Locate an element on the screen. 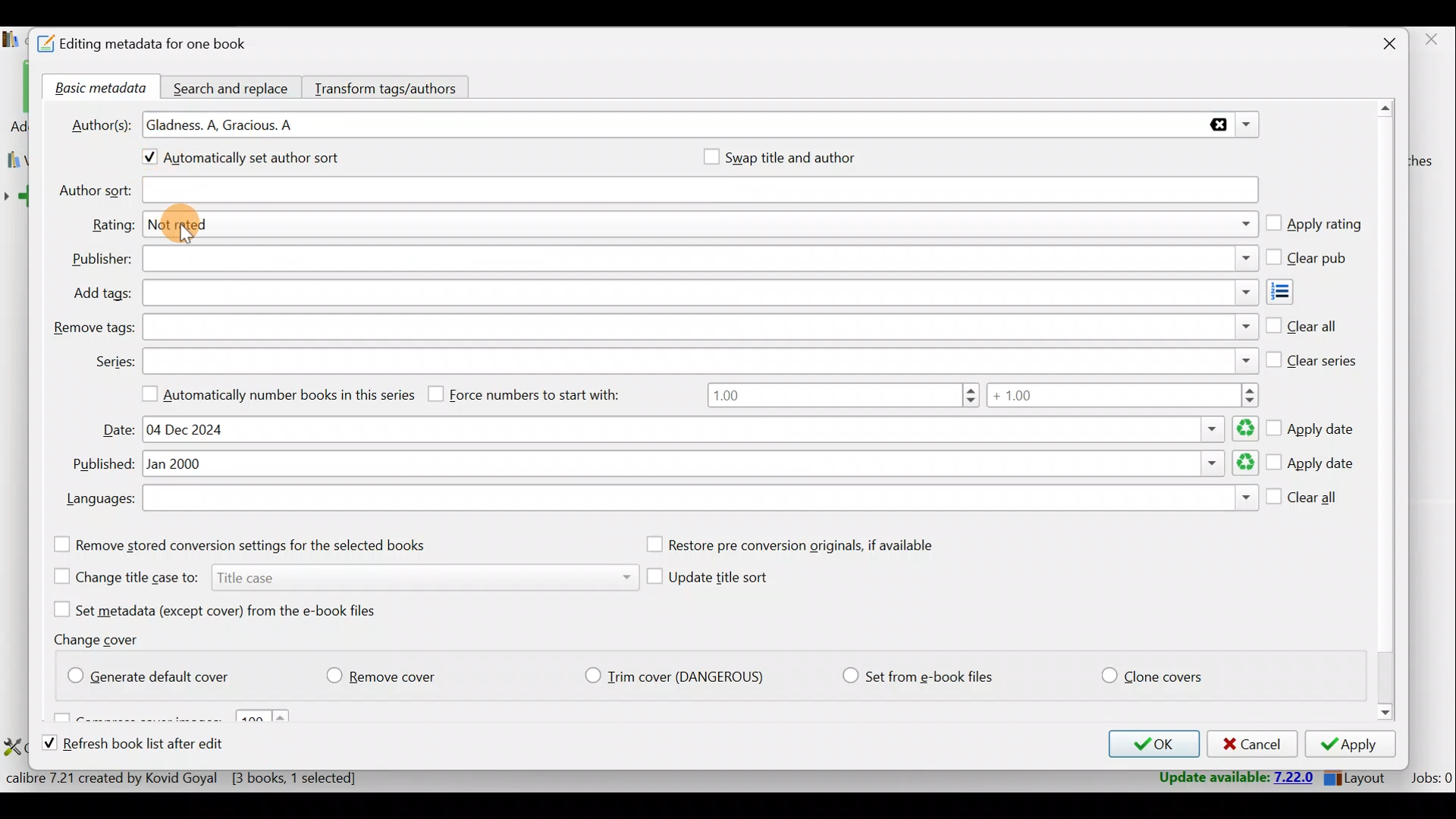 Image resolution: width=1456 pixels, height=819 pixels. Clear pub is located at coordinates (1310, 259).